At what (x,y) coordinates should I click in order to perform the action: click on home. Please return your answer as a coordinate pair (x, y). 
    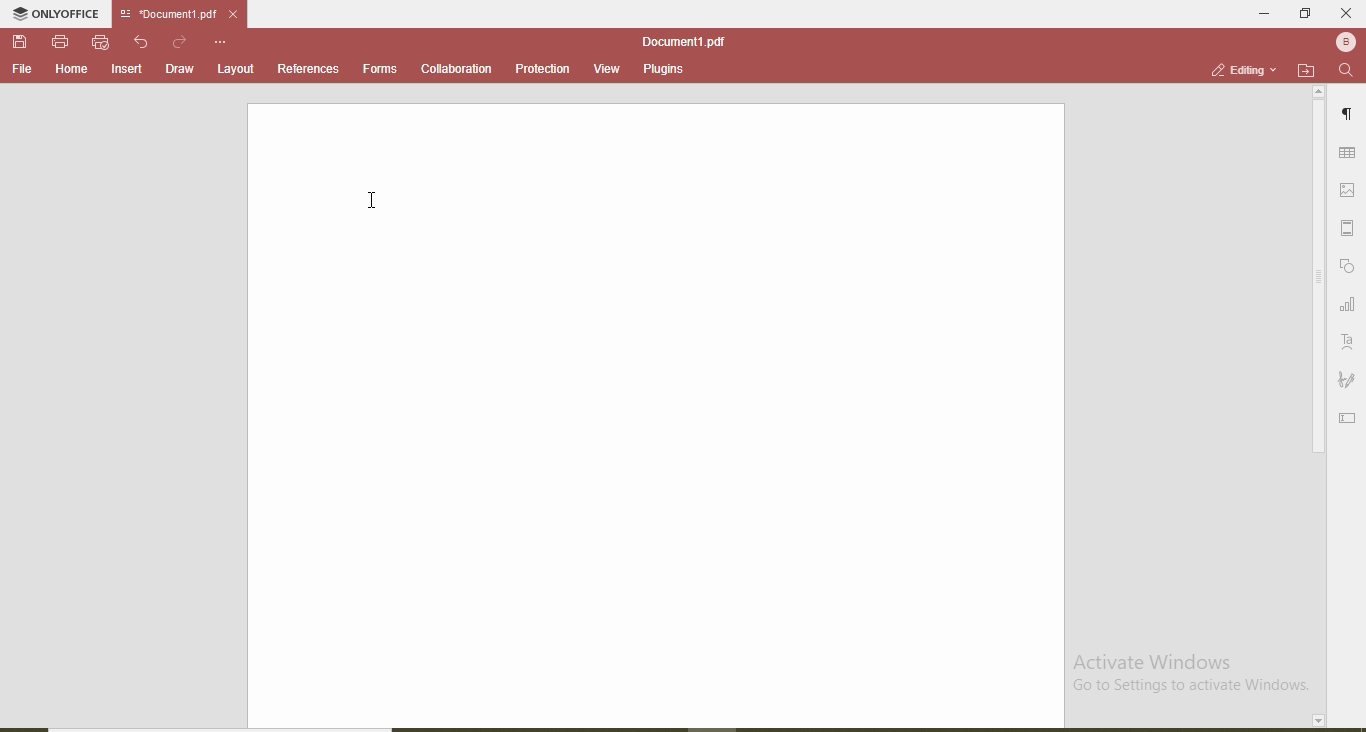
    Looking at the image, I should click on (68, 69).